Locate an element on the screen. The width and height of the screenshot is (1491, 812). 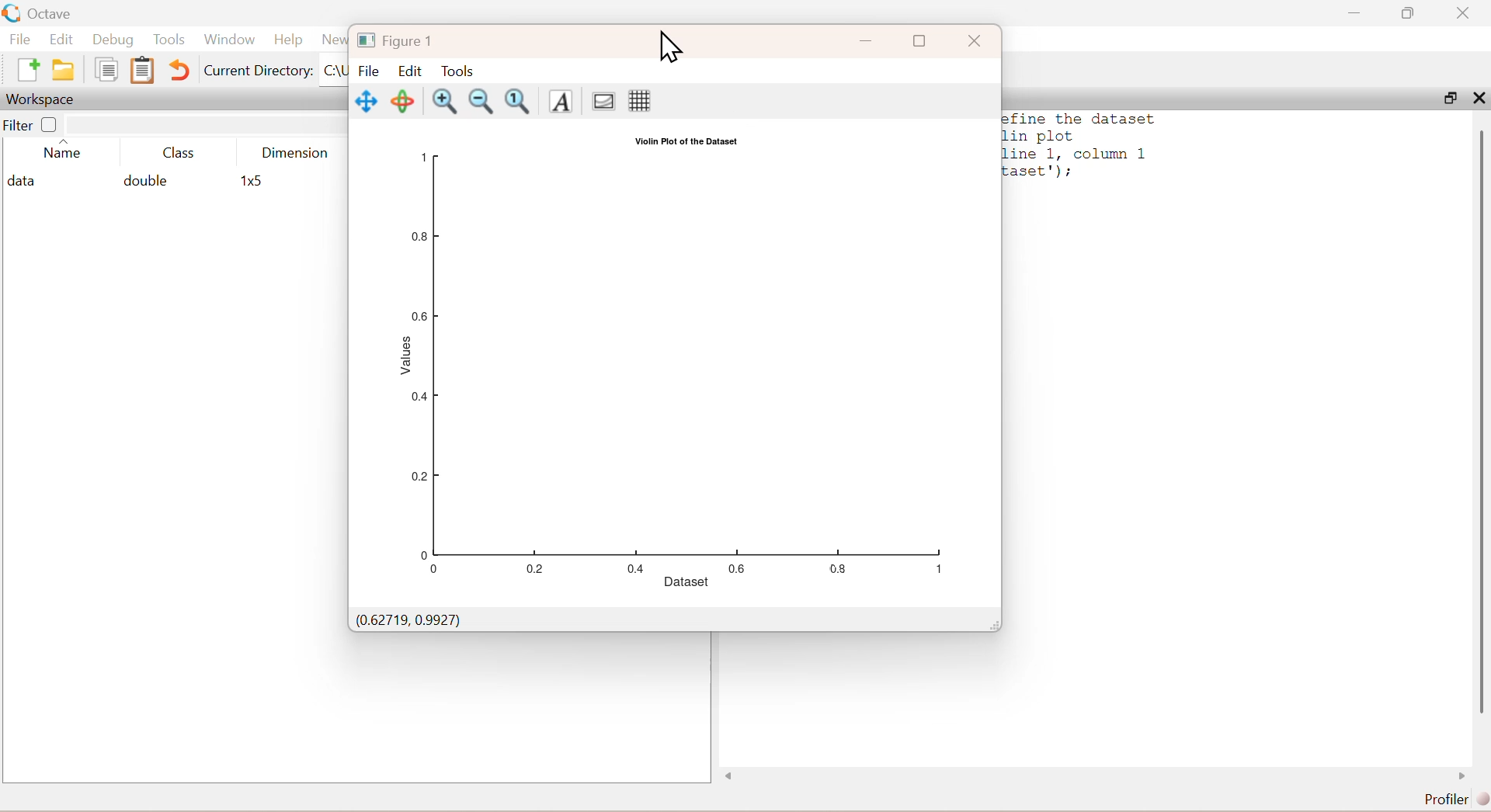
edit is located at coordinates (62, 39).